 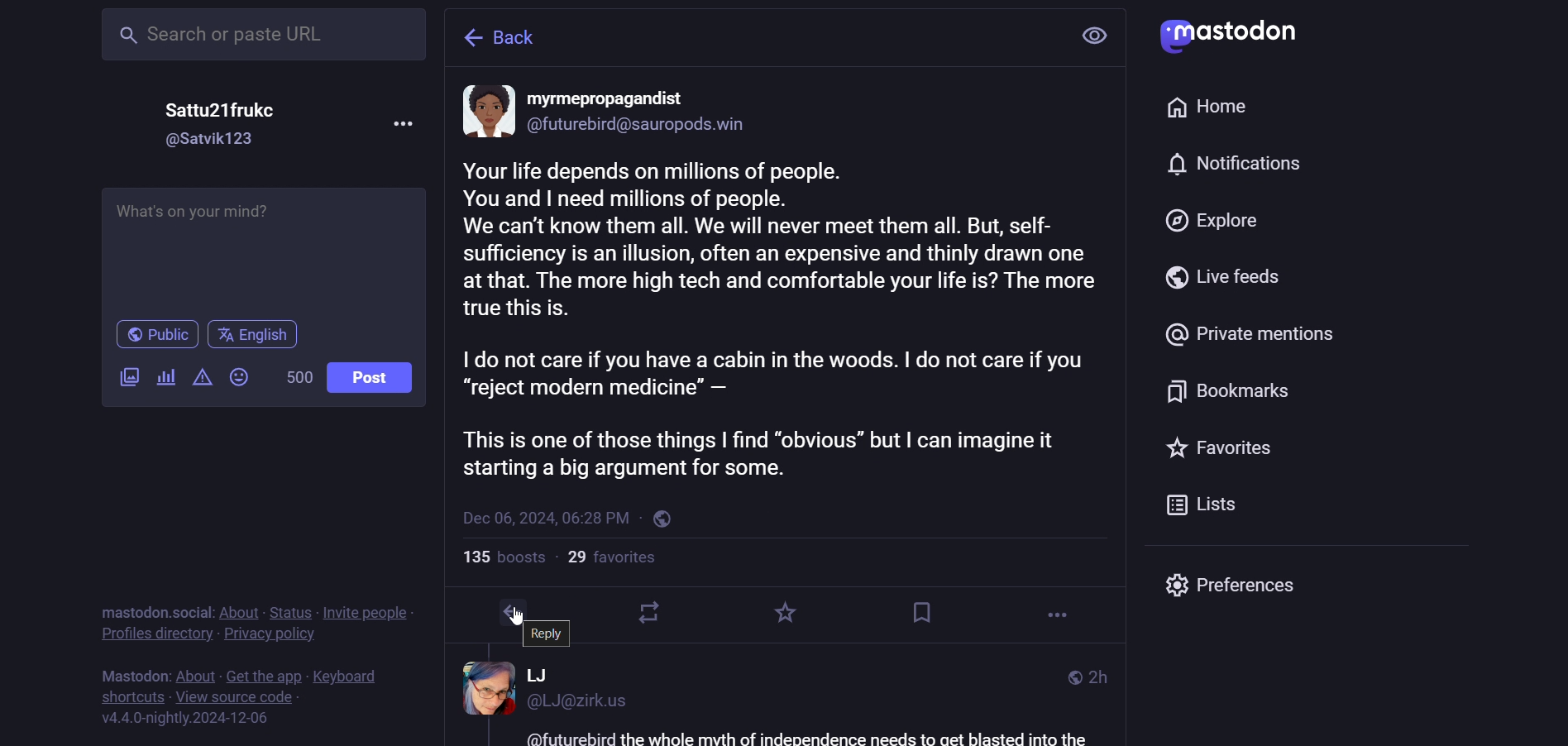 What do you see at coordinates (1237, 165) in the screenshot?
I see `notification` at bounding box center [1237, 165].